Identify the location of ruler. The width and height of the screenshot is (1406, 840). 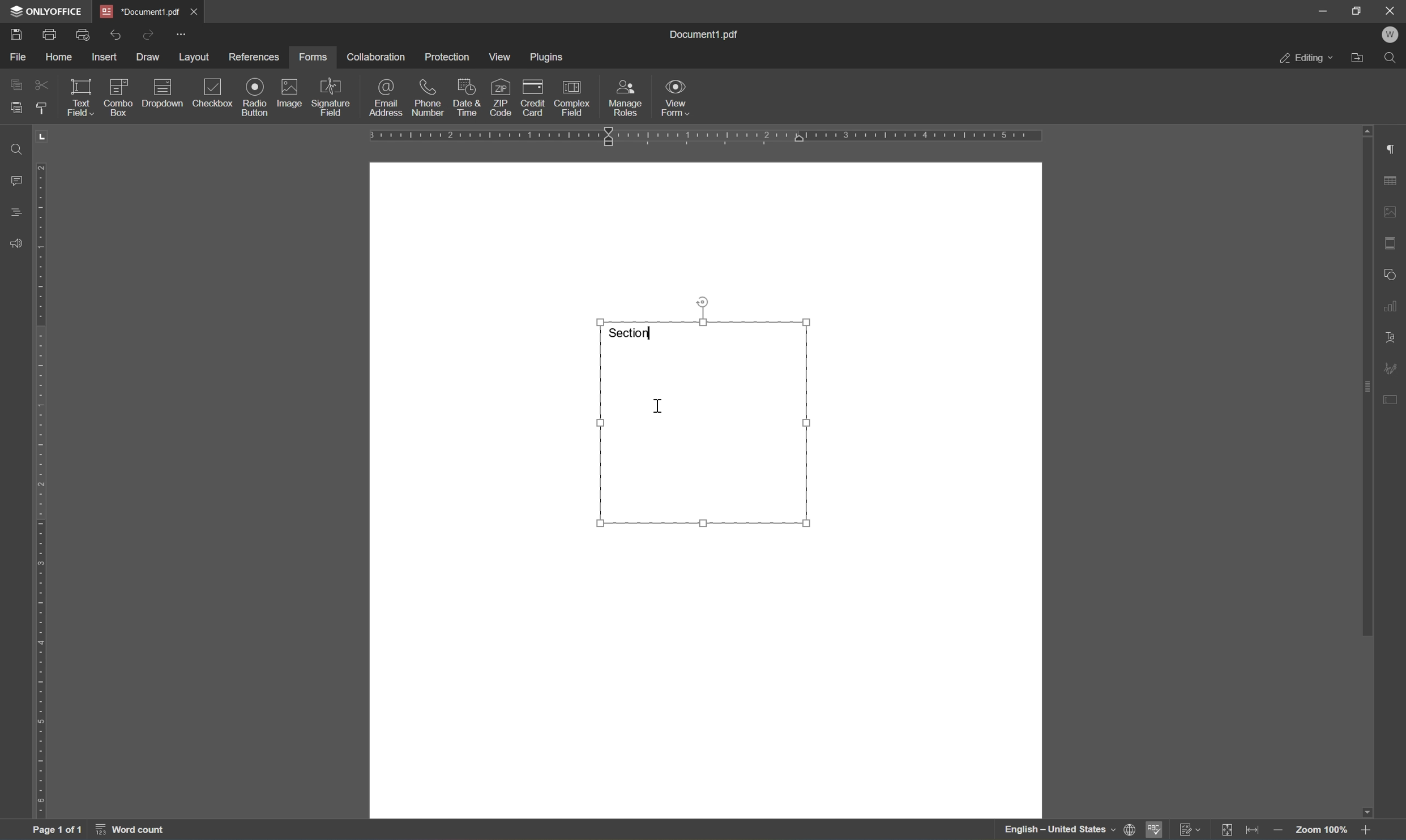
(43, 491).